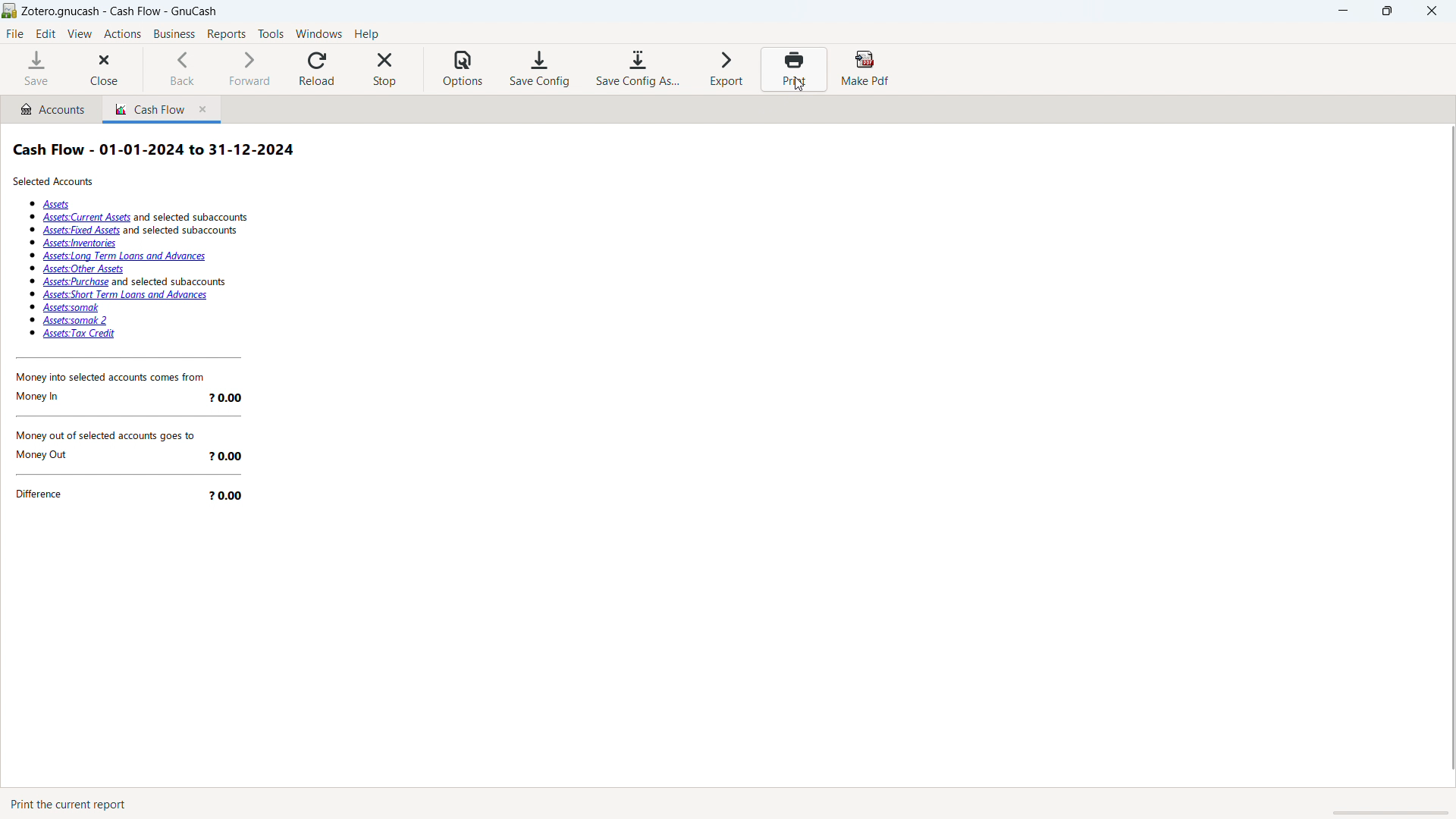  I want to click on Cash Flow - 01-01-2024 to 31-12-2024, so click(155, 147).